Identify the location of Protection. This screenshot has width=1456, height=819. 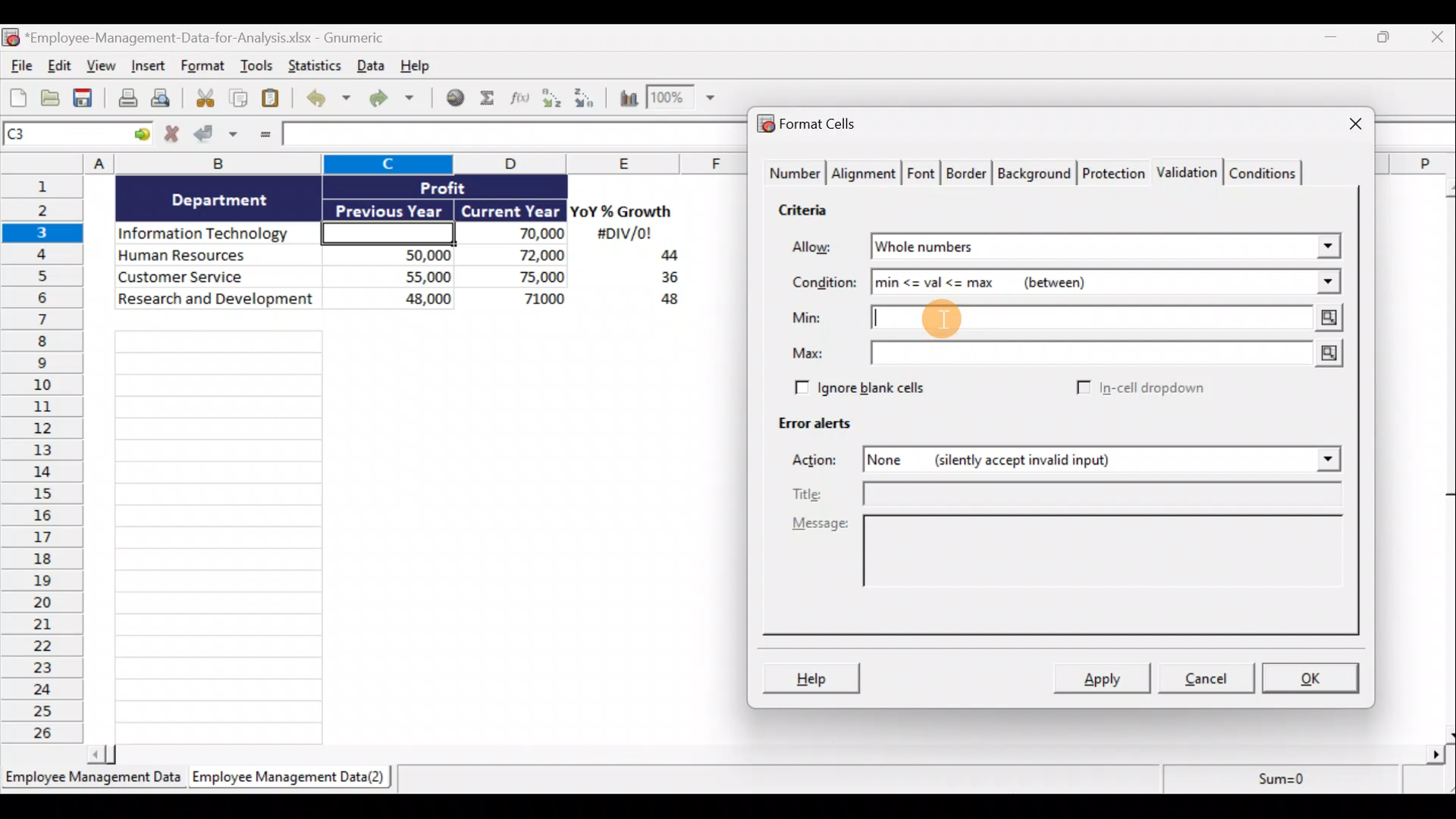
(1113, 171).